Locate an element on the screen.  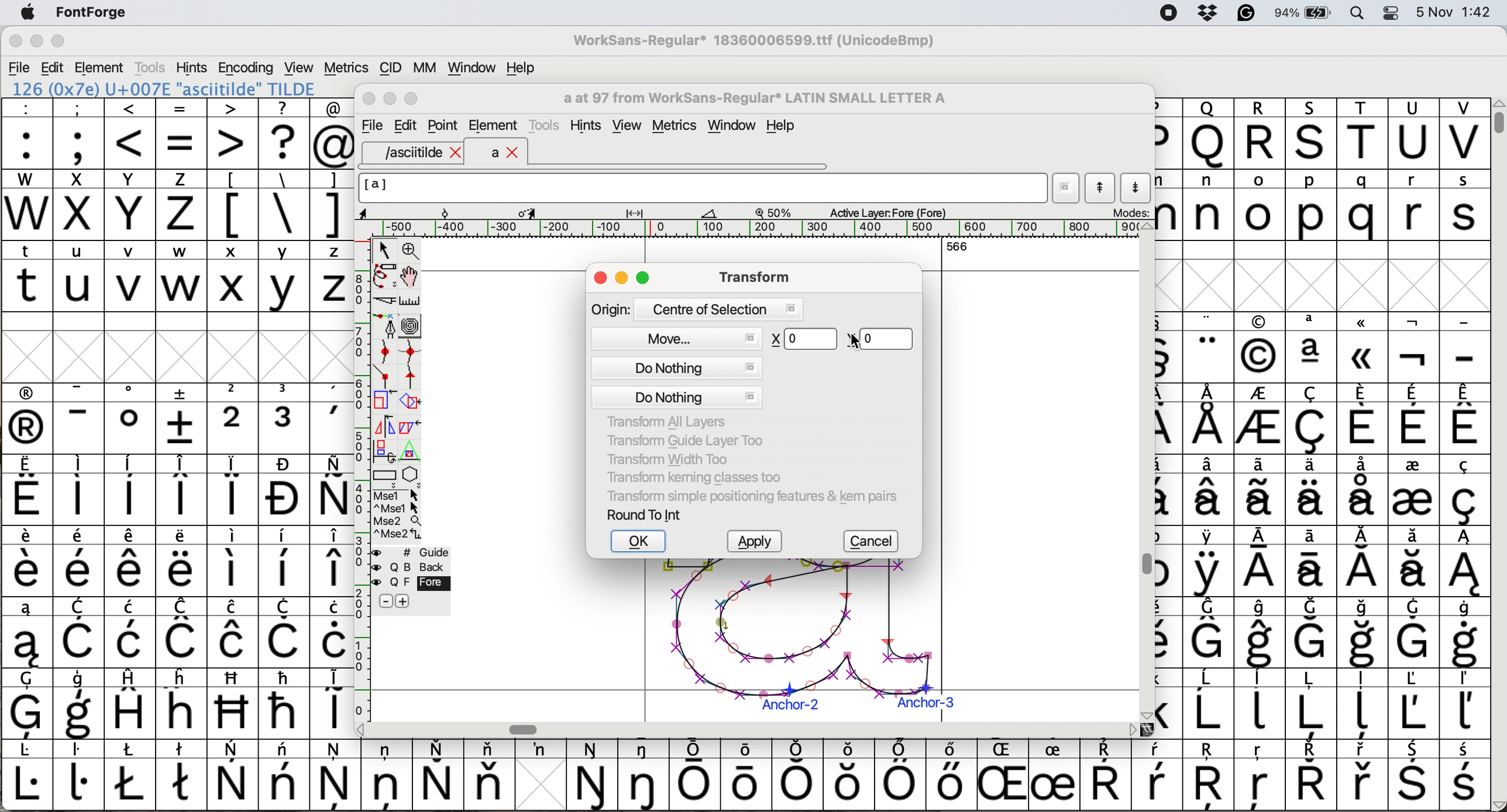
more options is located at coordinates (398, 514).